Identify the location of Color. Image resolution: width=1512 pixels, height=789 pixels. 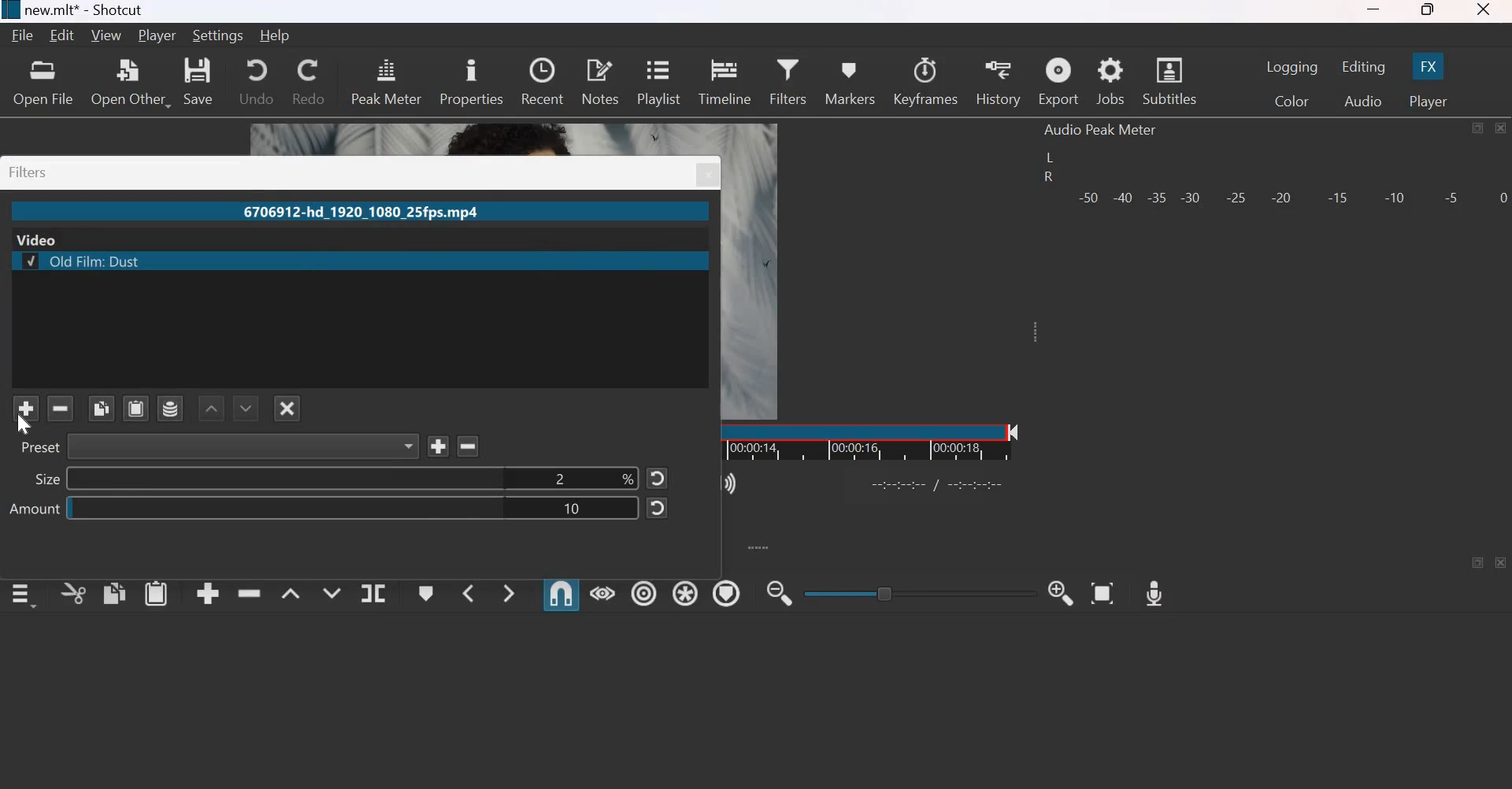
(1291, 101).